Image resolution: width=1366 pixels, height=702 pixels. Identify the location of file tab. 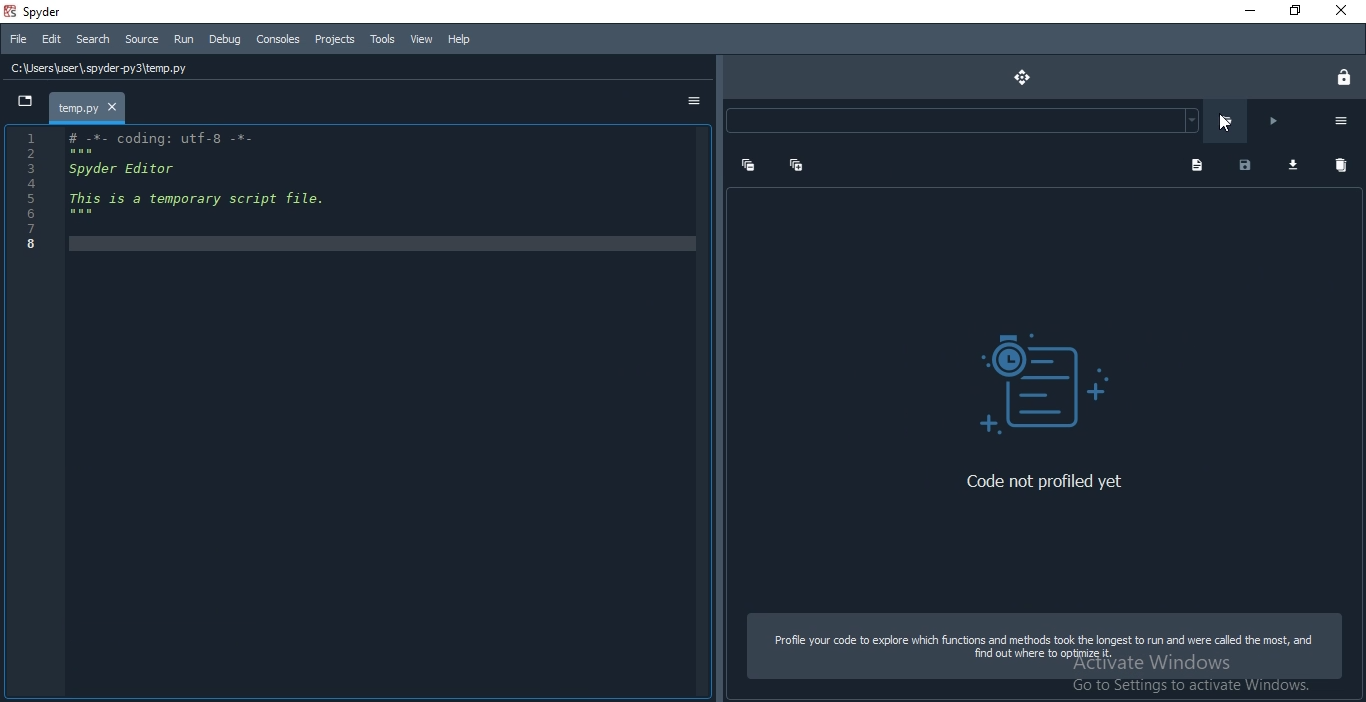
(89, 107).